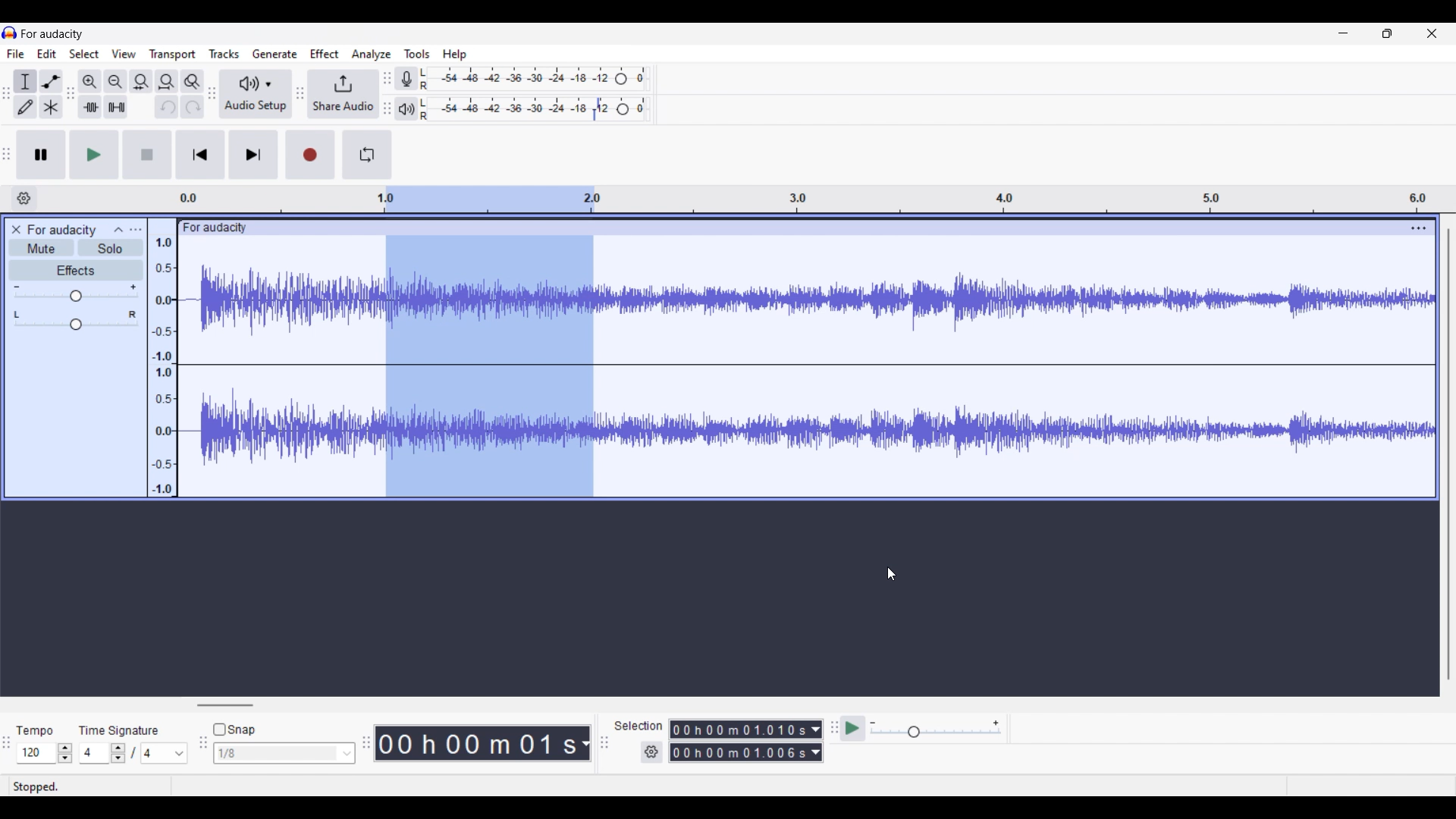 The image size is (1456, 819). What do you see at coordinates (35, 731) in the screenshot?
I see `tempo` at bounding box center [35, 731].